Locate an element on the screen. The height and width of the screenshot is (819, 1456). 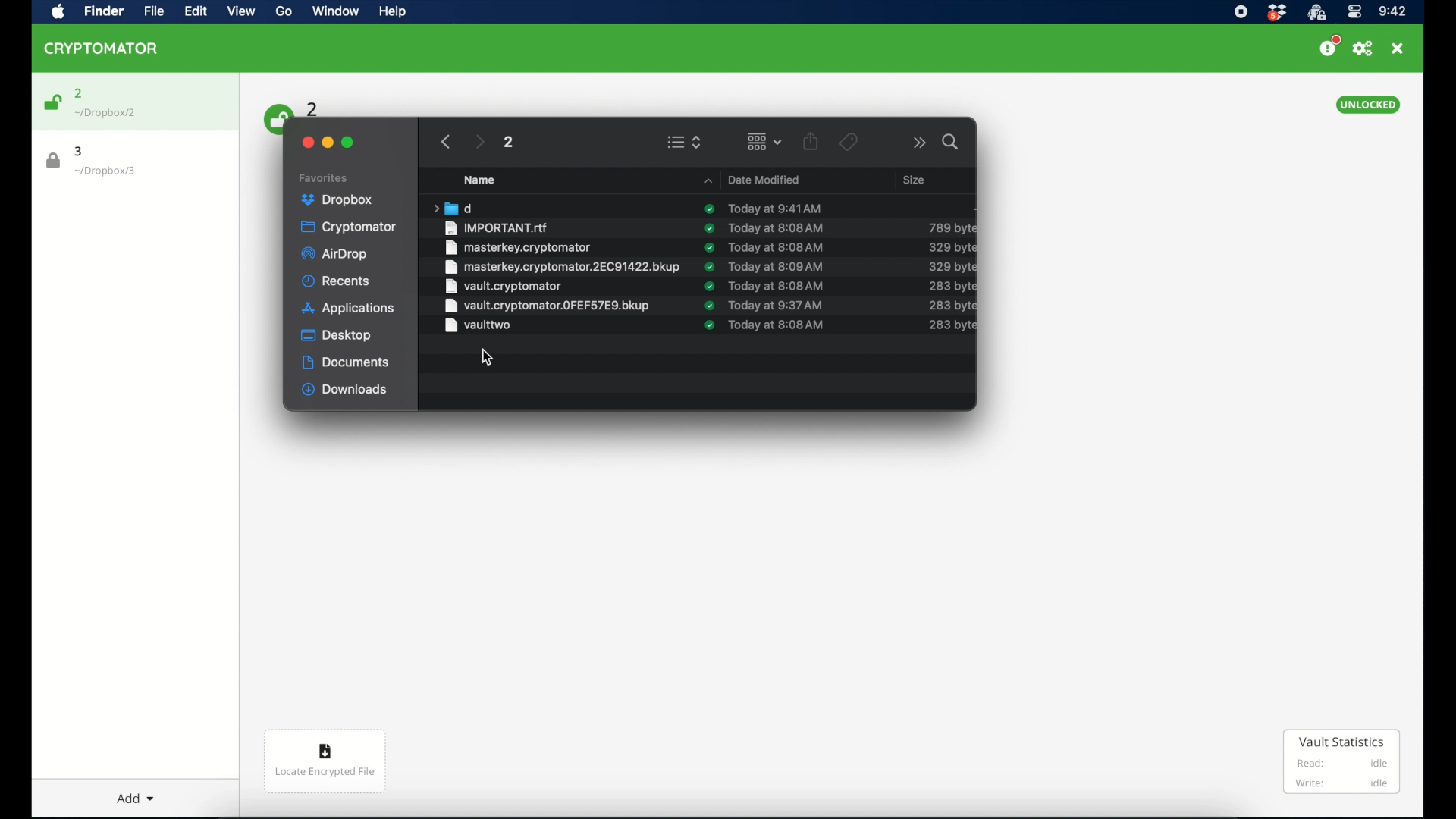
 is located at coordinates (776, 247).